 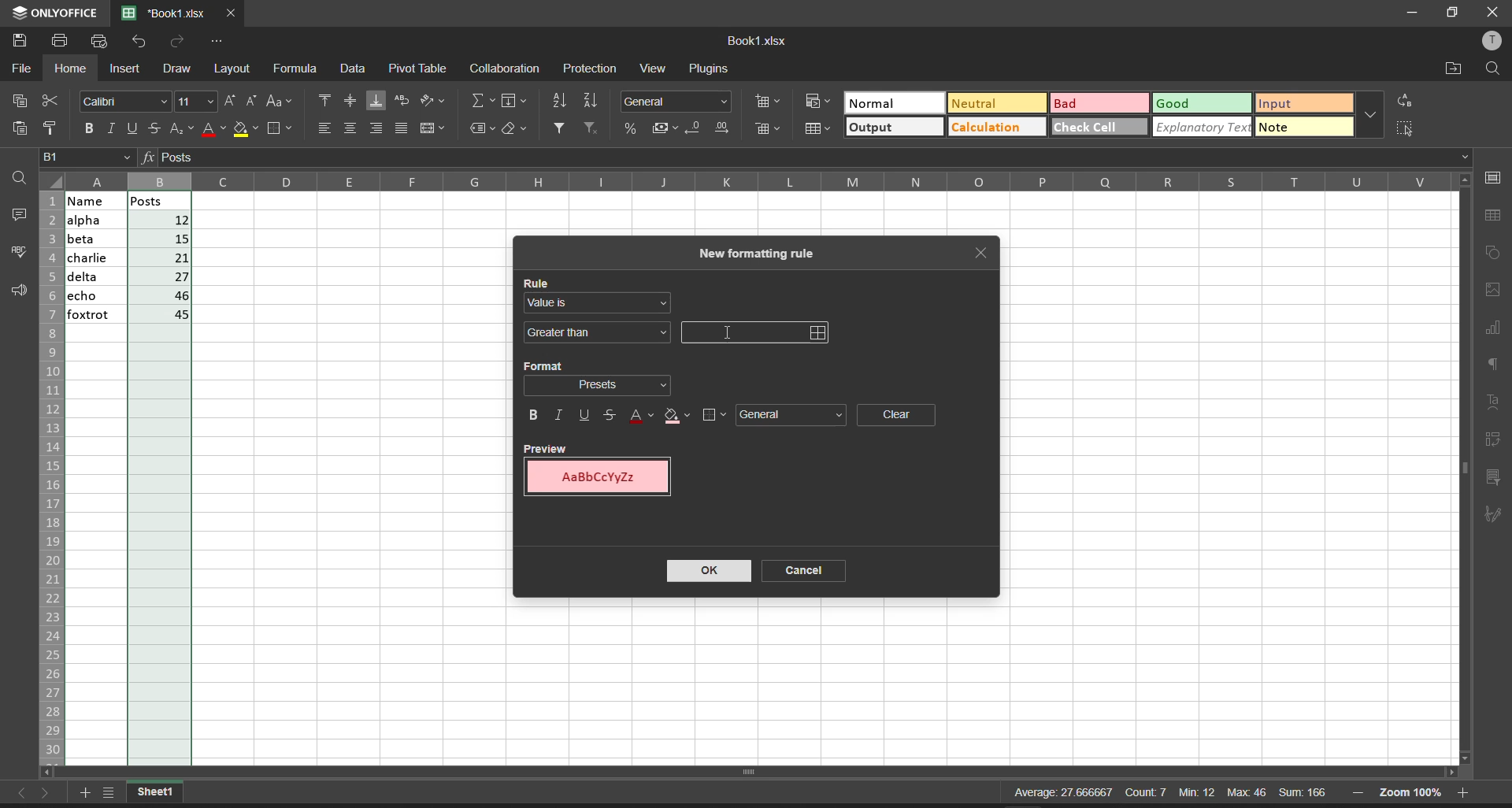 What do you see at coordinates (161, 13) in the screenshot?
I see `'Book1.xlsx` at bounding box center [161, 13].